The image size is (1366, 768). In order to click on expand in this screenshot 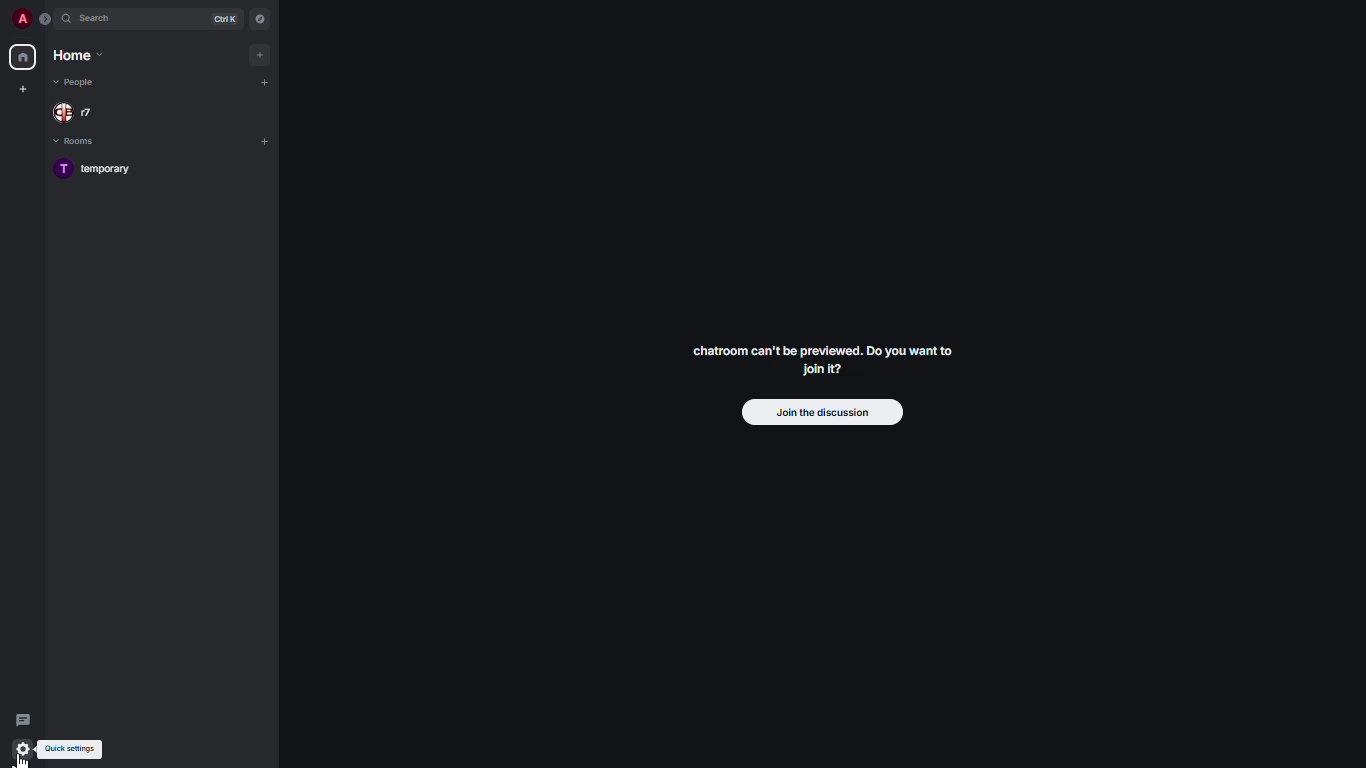, I will do `click(45, 20)`.